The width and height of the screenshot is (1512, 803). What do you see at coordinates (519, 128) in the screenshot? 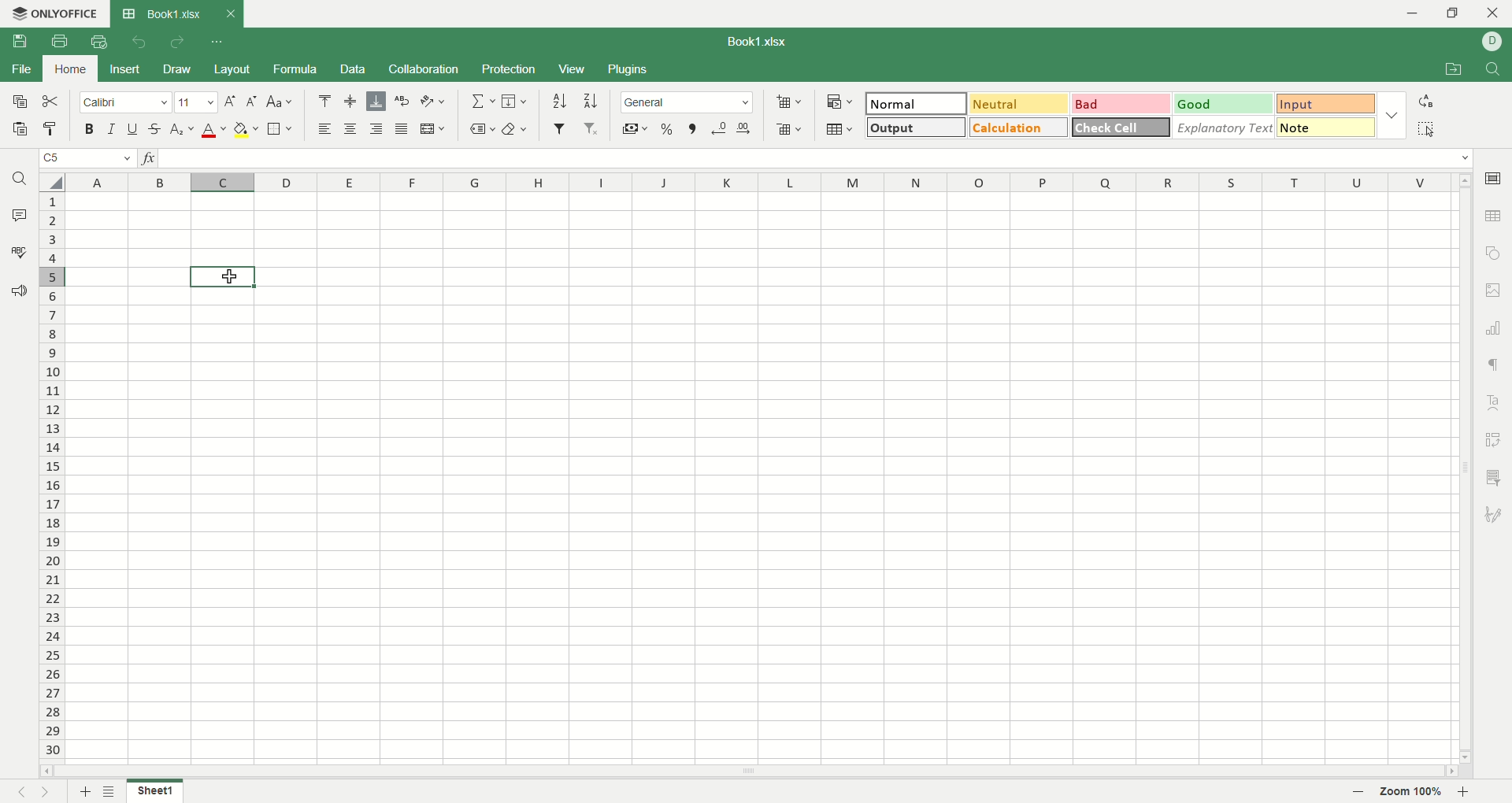
I see `clear` at bounding box center [519, 128].